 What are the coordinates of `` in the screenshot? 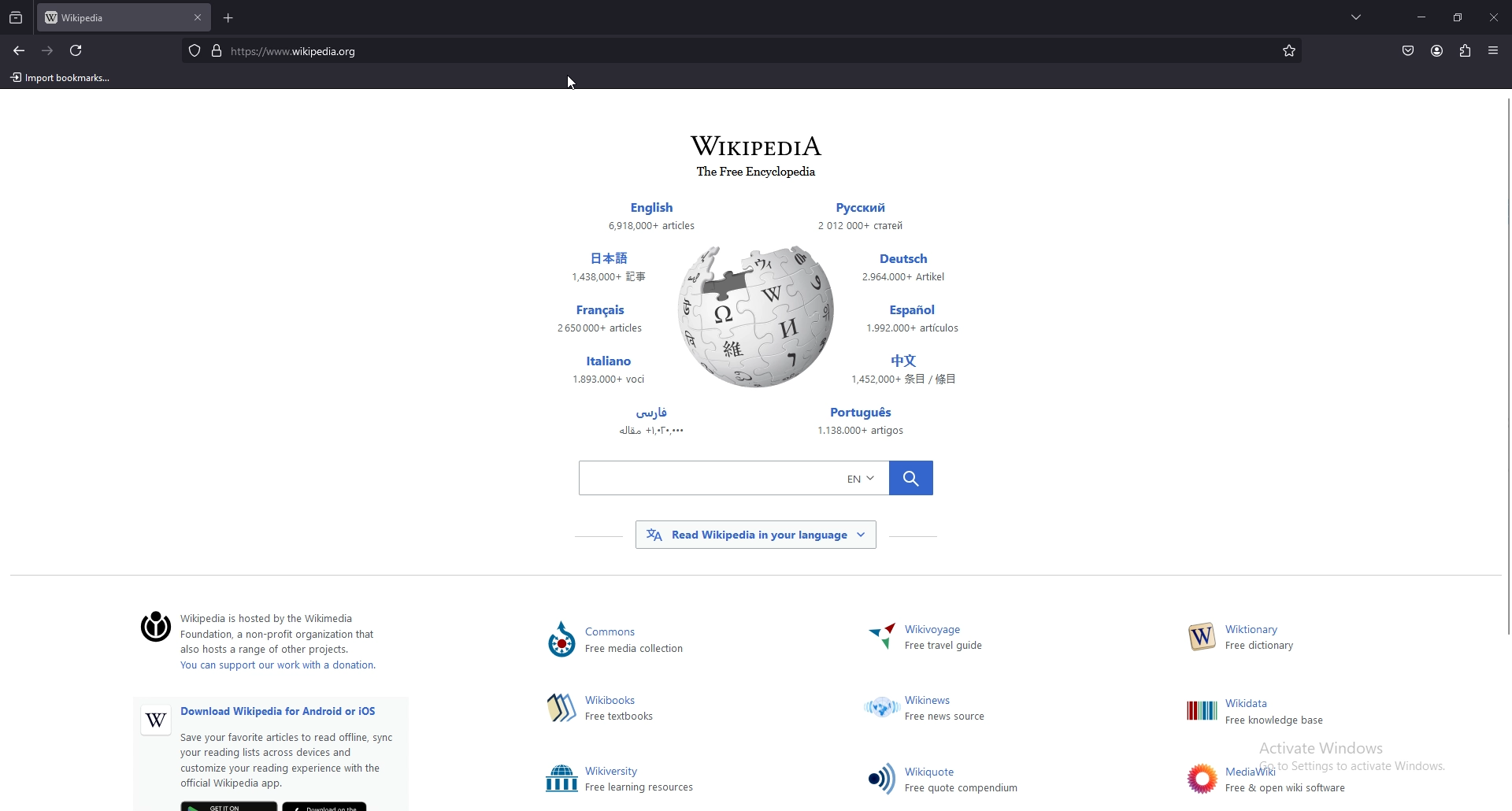 It's located at (560, 707).